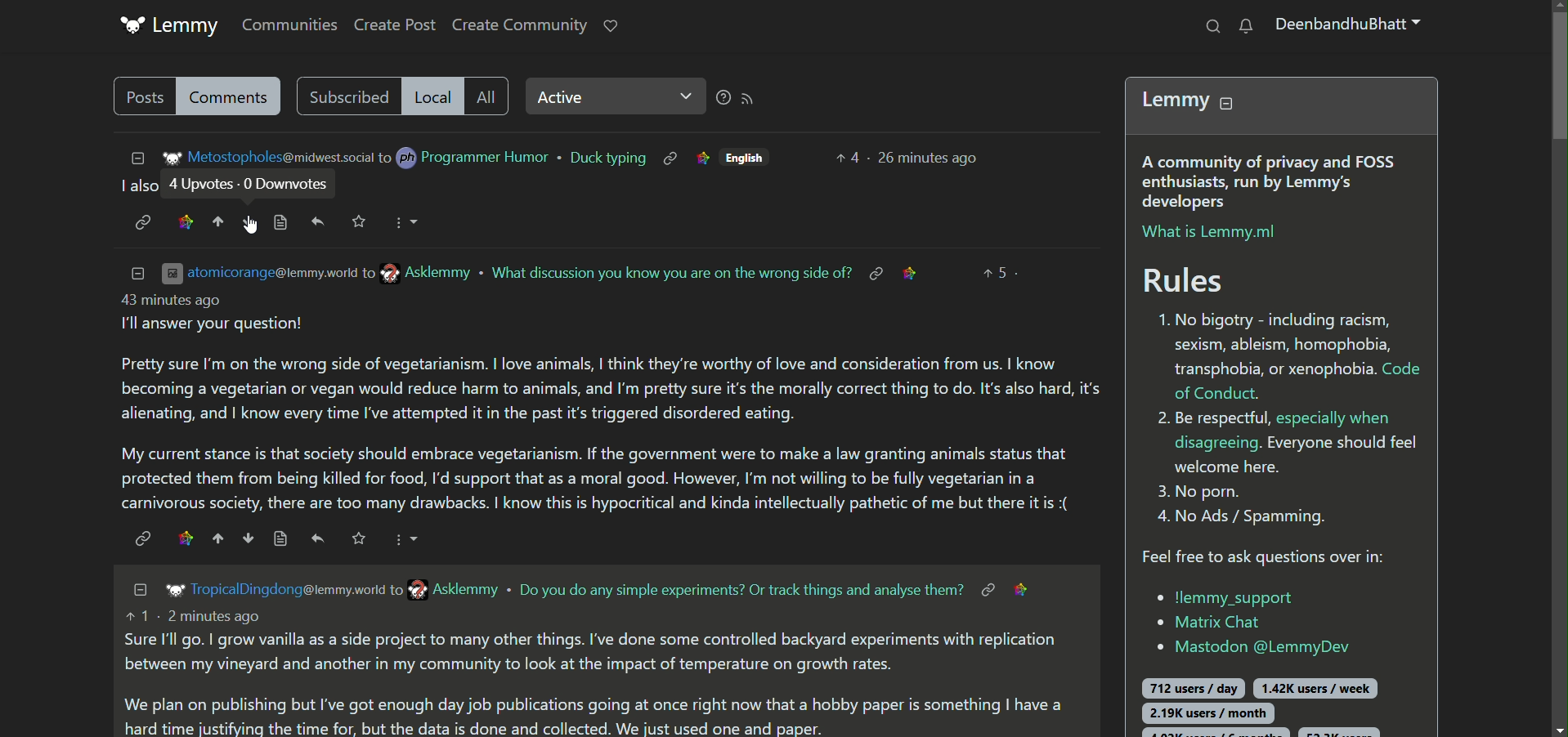 Image resolution: width=1568 pixels, height=737 pixels. I want to click on user name, so click(466, 158).